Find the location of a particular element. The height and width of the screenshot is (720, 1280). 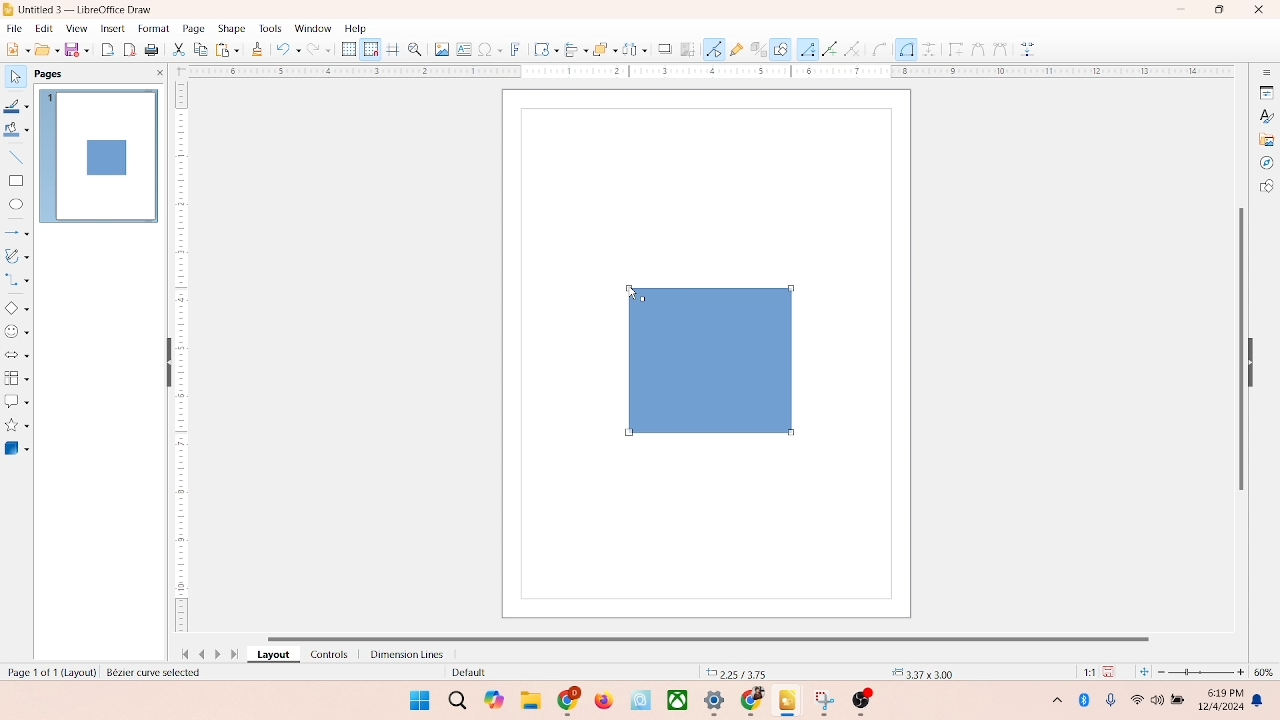

time and date is located at coordinates (1219, 697).